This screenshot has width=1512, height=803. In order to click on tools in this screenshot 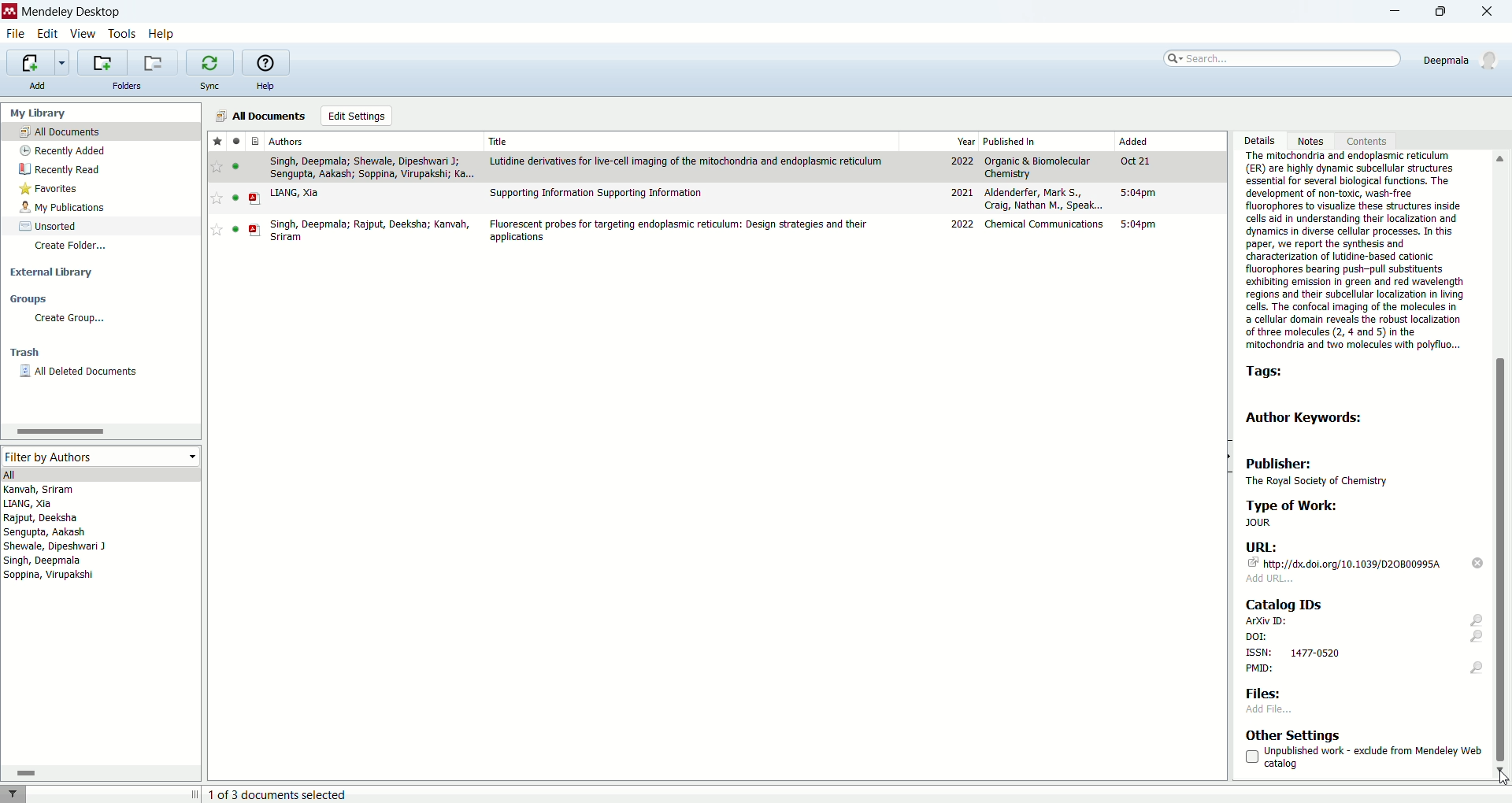, I will do `click(123, 35)`.